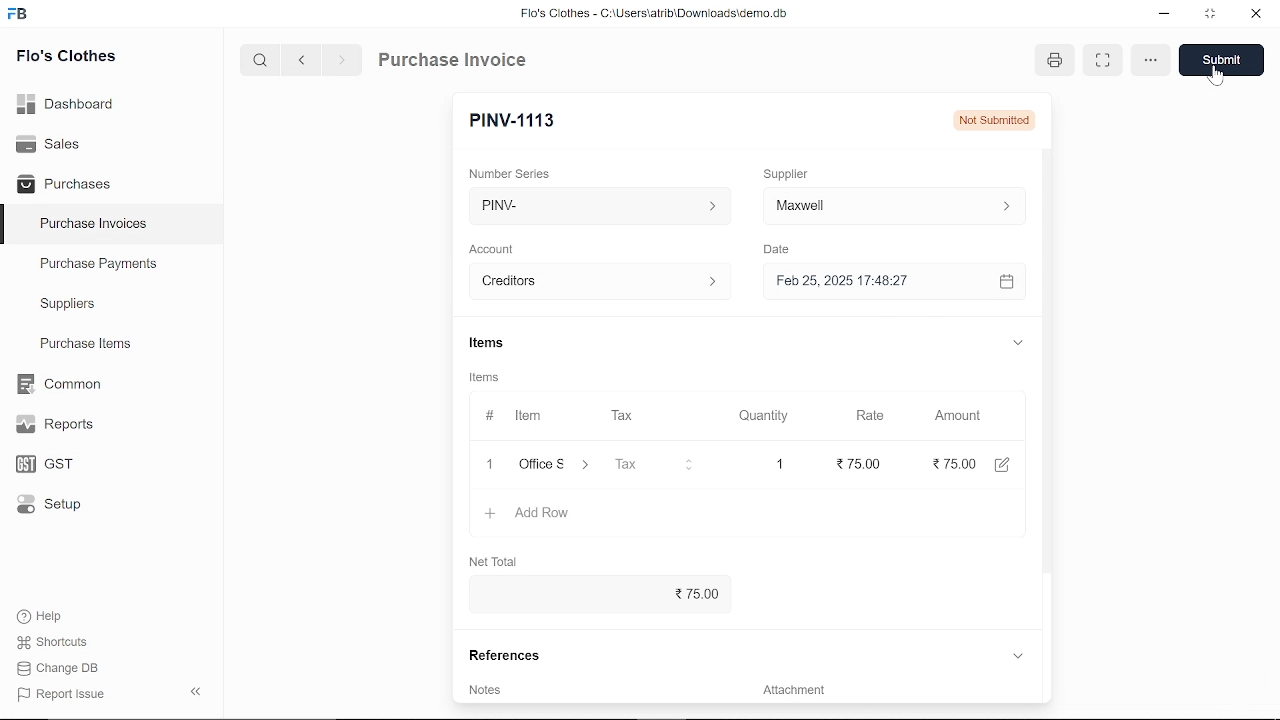 The image size is (1280, 720). What do you see at coordinates (594, 594) in the screenshot?
I see `75.00` at bounding box center [594, 594].